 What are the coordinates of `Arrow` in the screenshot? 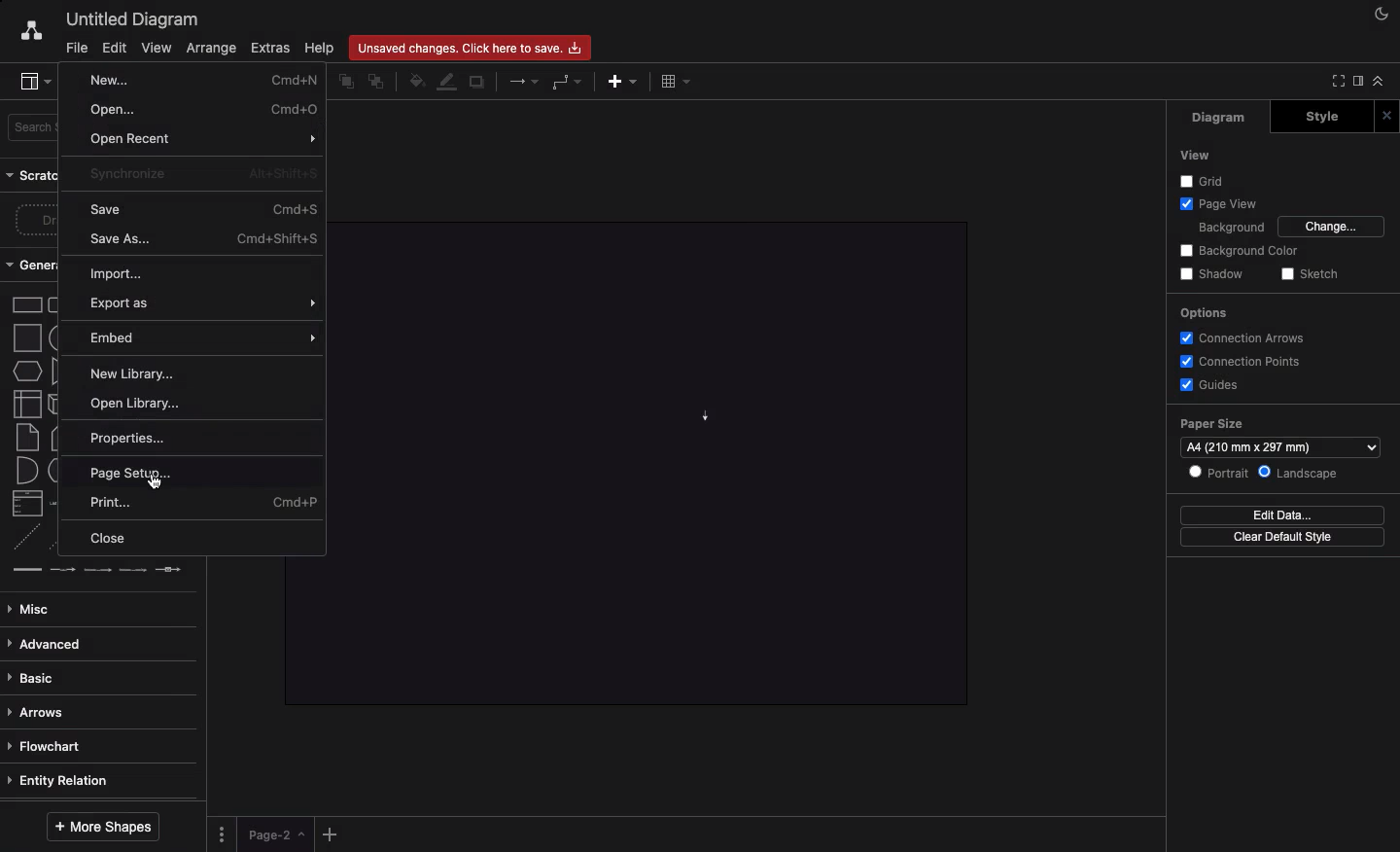 It's located at (306, 140).